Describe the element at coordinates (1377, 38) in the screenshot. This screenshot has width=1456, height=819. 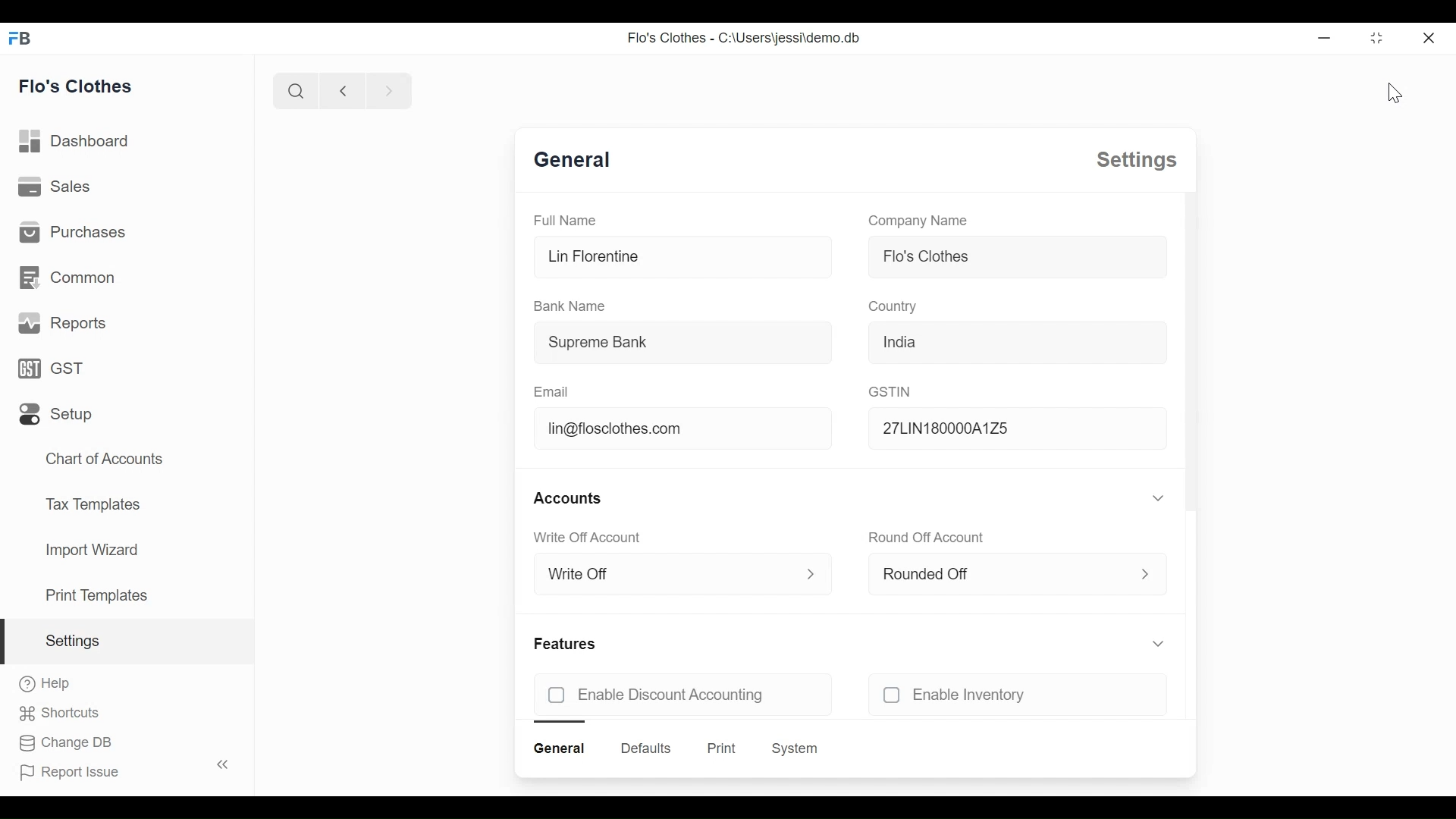
I see `toggle between form and full width` at that location.